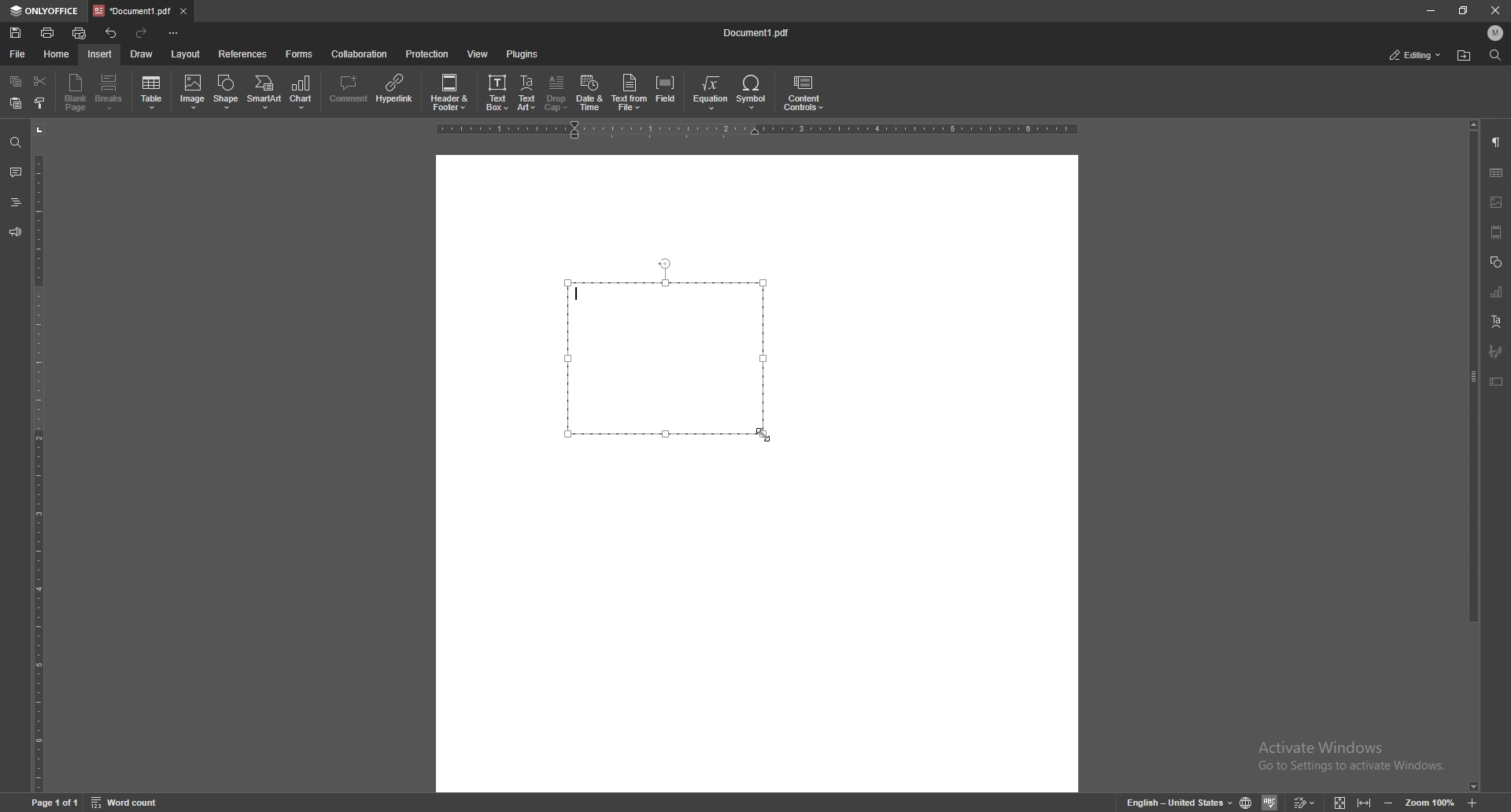  What do you see at coordinates (1180, 803) in the screenshot?
I see `english united states` at bounding box center [1180, 803].